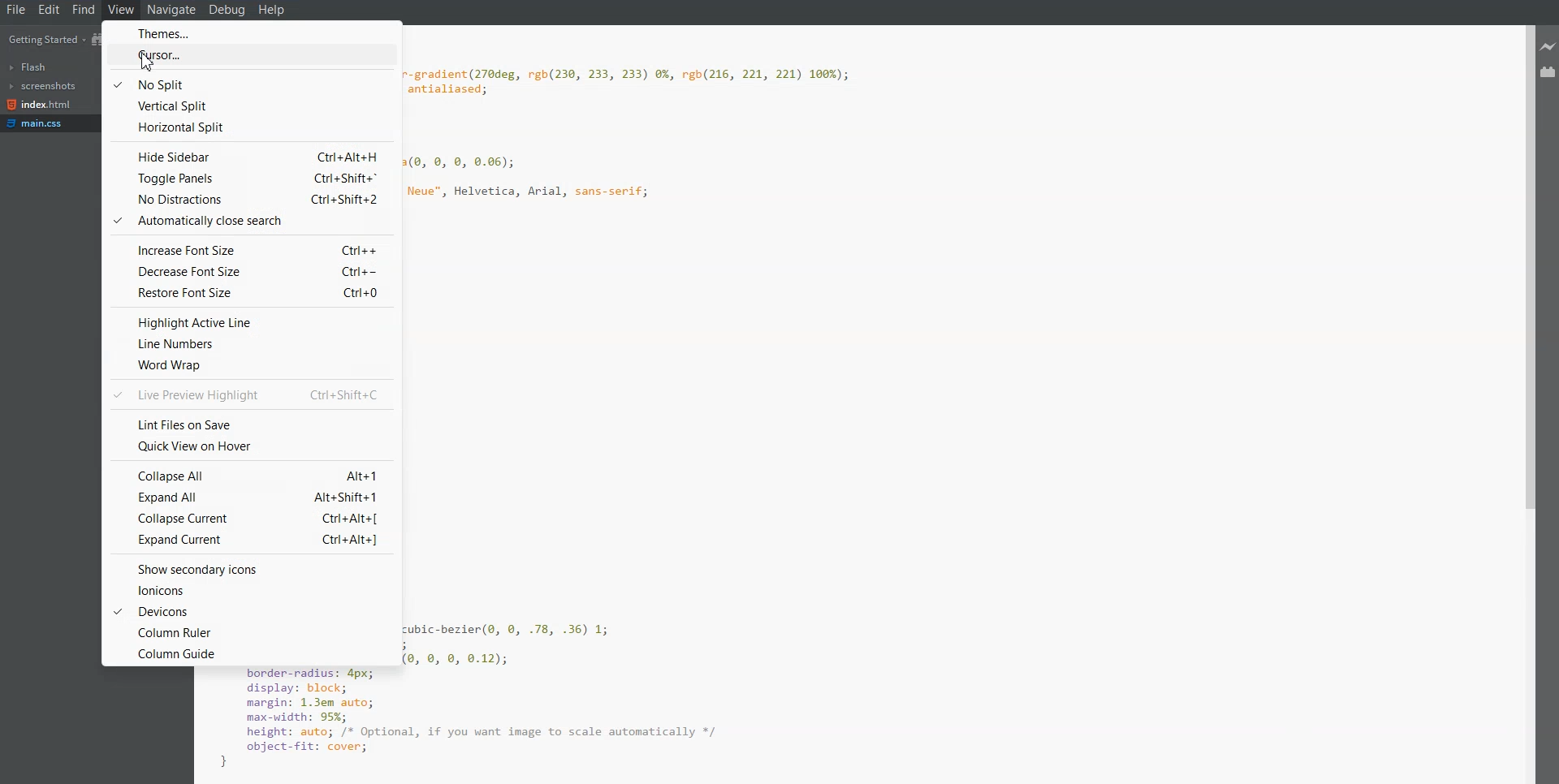 Image resolution: width=1559 pixels, height=784 pixels. Describe the element at coordinates (711, 401) in the screenshot. I see `html {
background: #e6e9e9;
background-image: linear-gradient(270deg, rgb(230, 233, 233) 0%, rgb(216, 221, 221) 166%);
-webkit-font-smoothing: antialiased;
}
body {
background: #££F;
box-shadow: © @ 2px rgba(@, 0, 8, 0.06);
Color: #545454;
font-family: "Helvetica Neue", Helvetica, Arial, sans-serif;
font-size: 16px;
line-height: 1.5;
margin: 8 auto;
max-width: 808px;
padding: 2em 2em dem;
}
h1, h2, h3, ha, hs, h6 {
Color: #222;
font-weight: 600;
line-height: 1.3;
h2 {
margin-top: 1.3em;
}
raf
Color: #0083e8;
}
/ b, strong {
font-weight: 600;
}
samp {
display: none;
}
ing {
animation: Colorize 2s cubic-bezier(®, 0, .78, .36) 1;
background: transparent;
border: 10px solid rgba(e, 0, 8, 0.12);
border-radius: 4px;
display: block;
margin: 1.3em auto;
max-width: 95%;
height: auto; /* Optional, if you want image to scale automatically */
object-fit: cover;
}` at that location.